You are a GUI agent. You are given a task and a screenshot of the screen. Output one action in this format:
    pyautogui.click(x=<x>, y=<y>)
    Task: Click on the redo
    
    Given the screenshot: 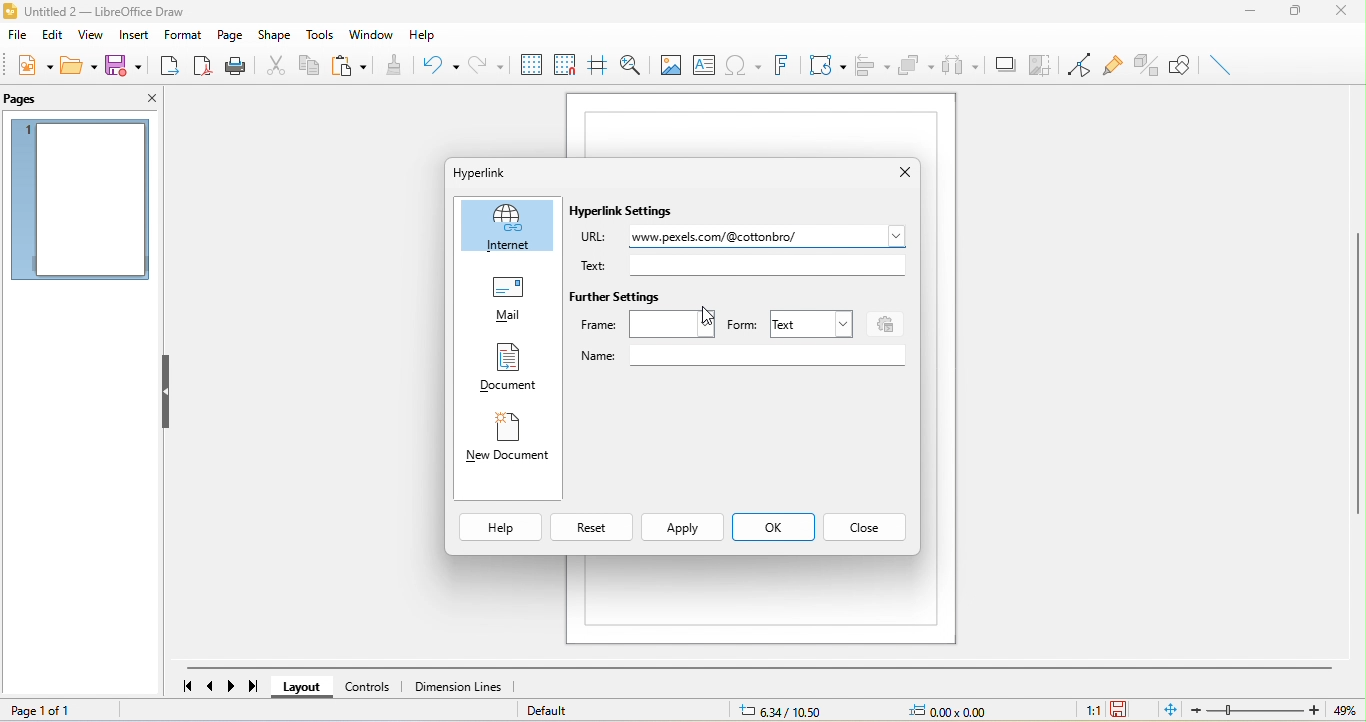 What is the action you would take?
    pyautogui.click(x=485, y=64)
    